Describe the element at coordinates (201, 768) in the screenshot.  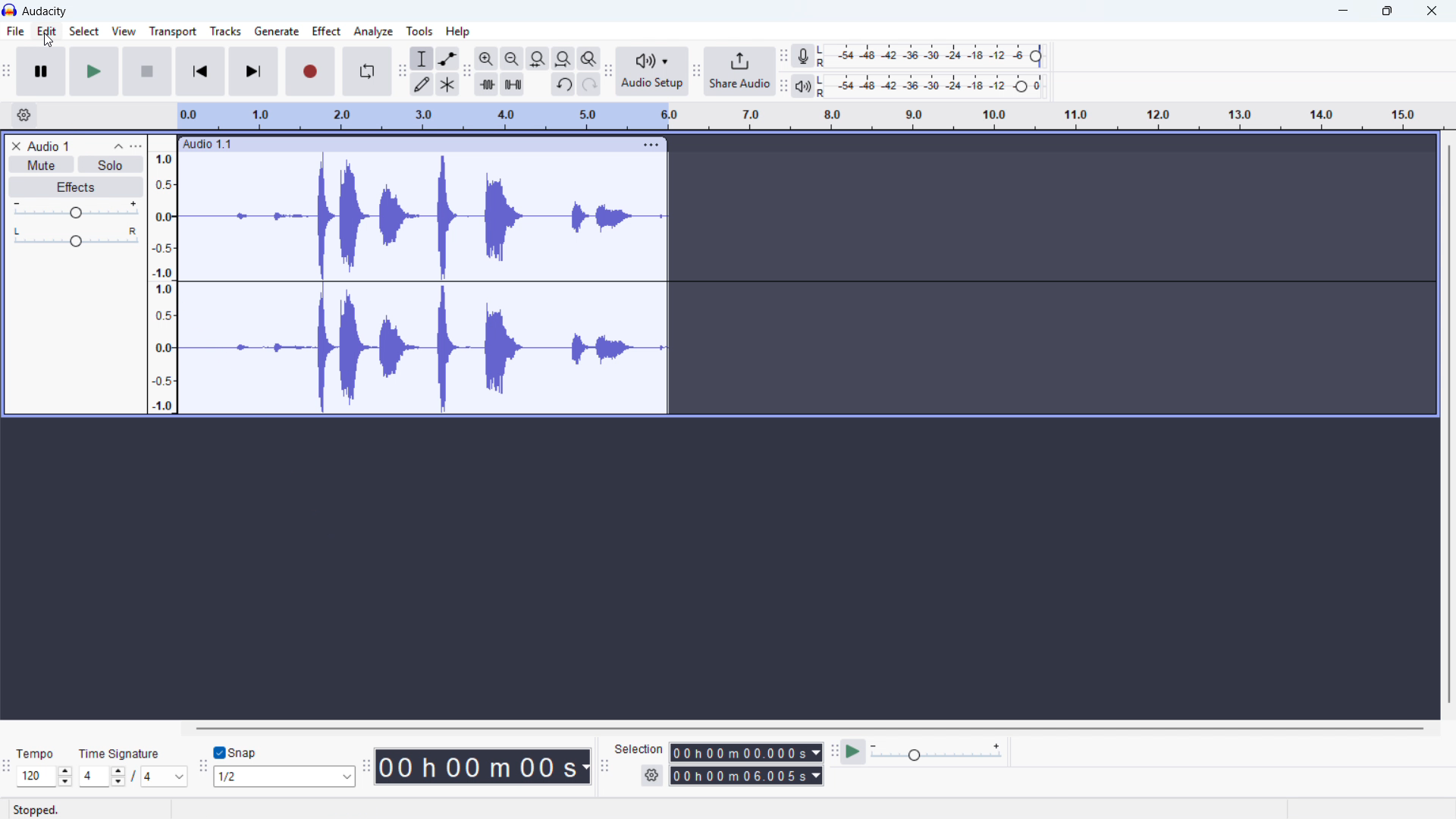
I see `snapping toolbar` at that location.